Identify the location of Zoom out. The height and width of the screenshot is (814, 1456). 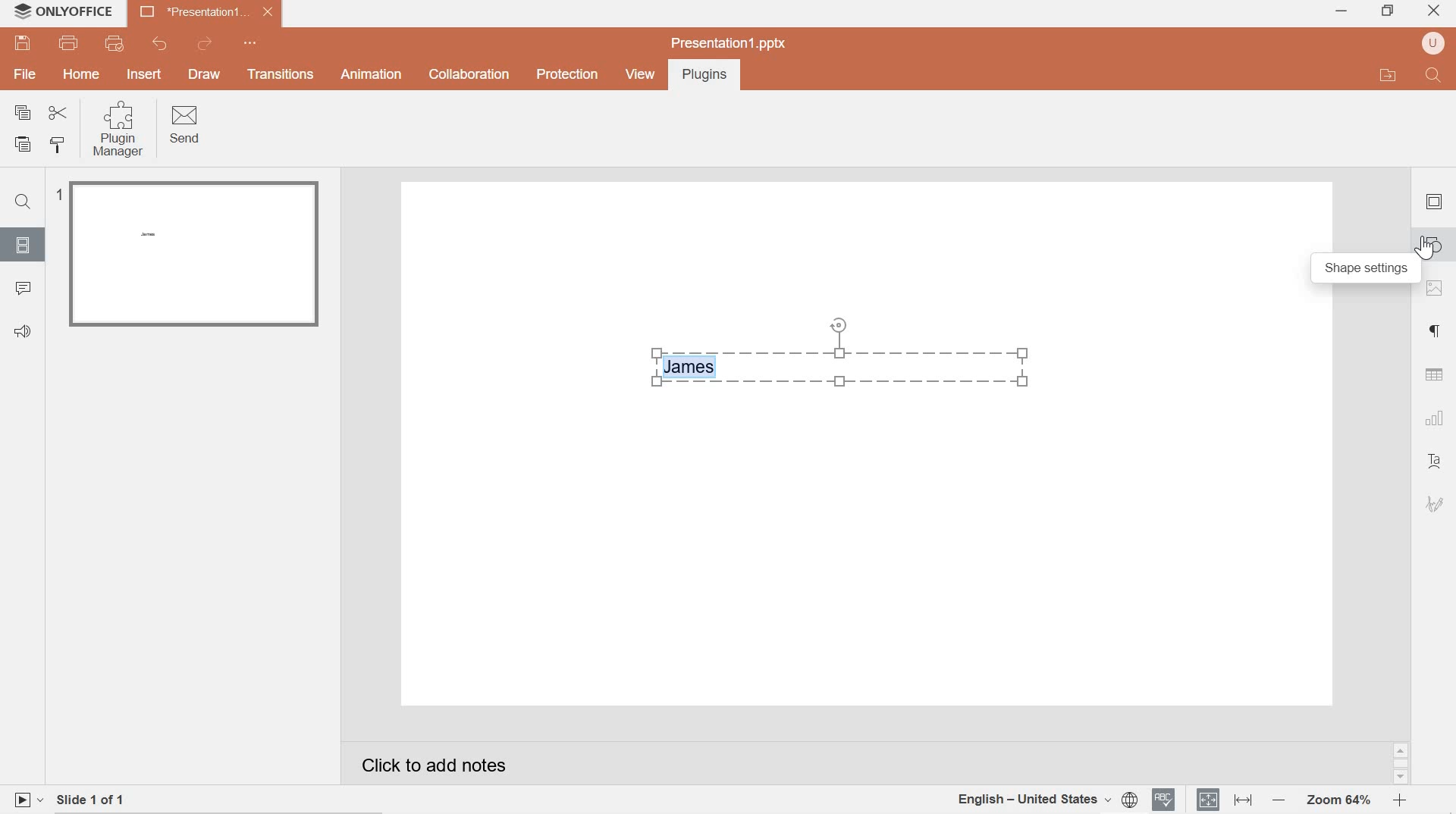
(1278, 800).